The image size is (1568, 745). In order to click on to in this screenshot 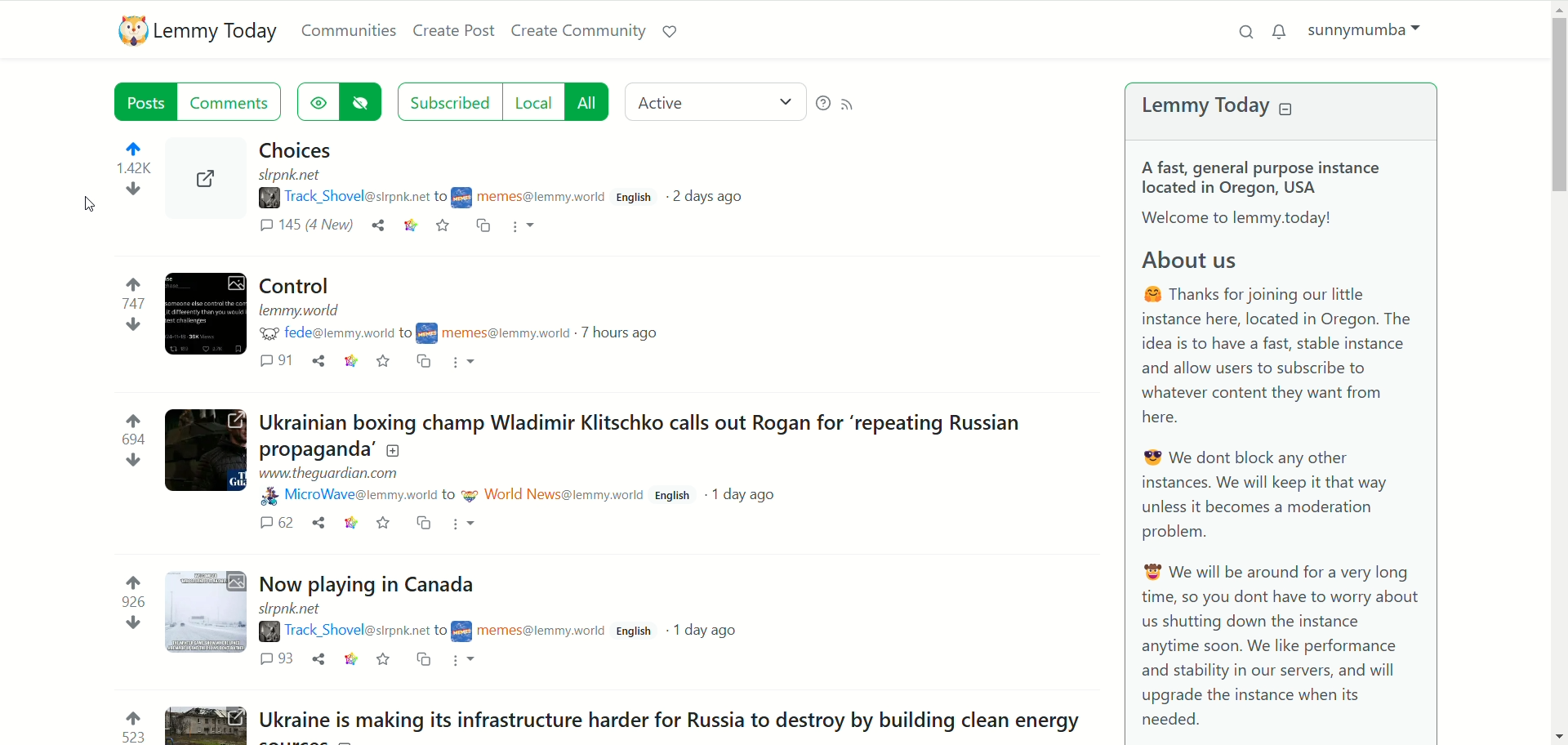, I will do `click(439, 633)`.